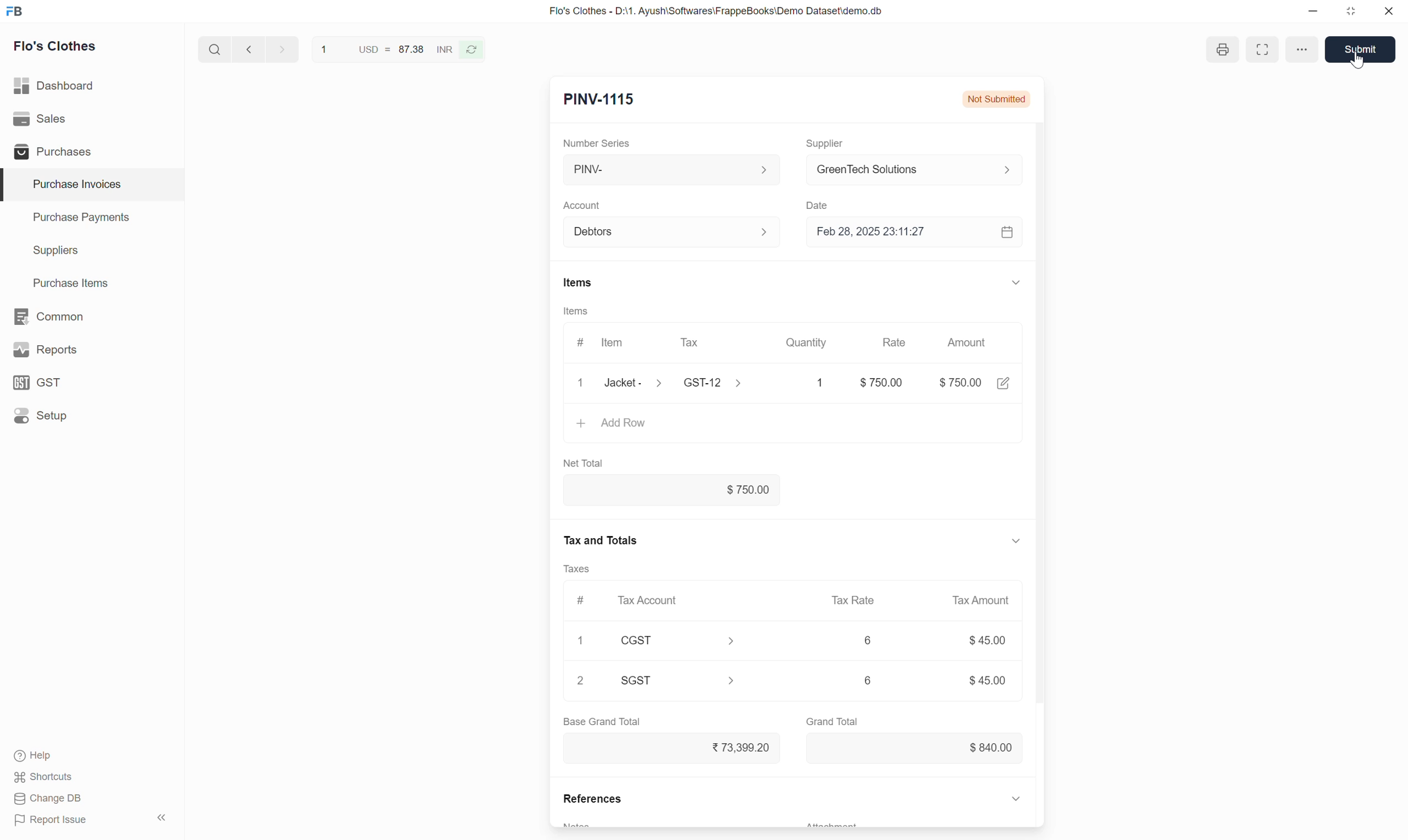 This screenshot has height=840, width=1408. What do you see at coordinates (583, 601) in the screenshot?
I see `#` at bounding box center [583, 601].